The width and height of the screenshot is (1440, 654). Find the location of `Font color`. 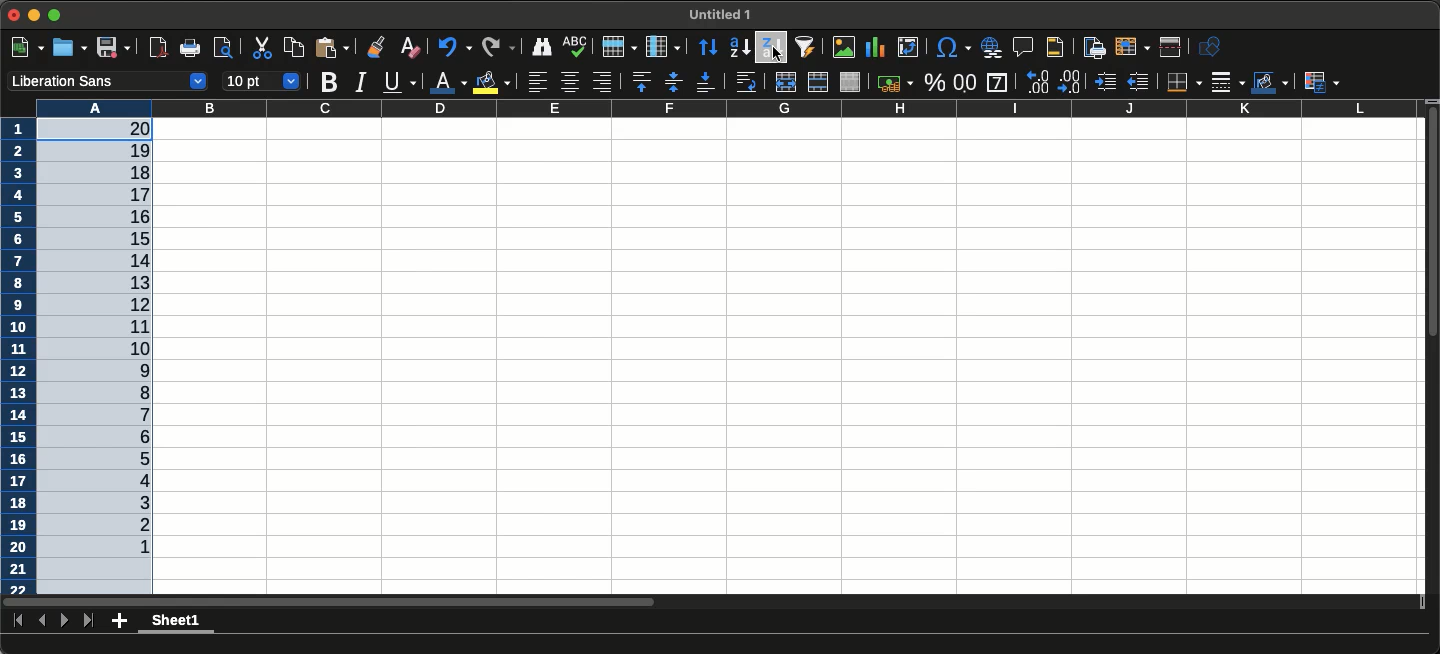

Font color is located at coordinates (447, 81).